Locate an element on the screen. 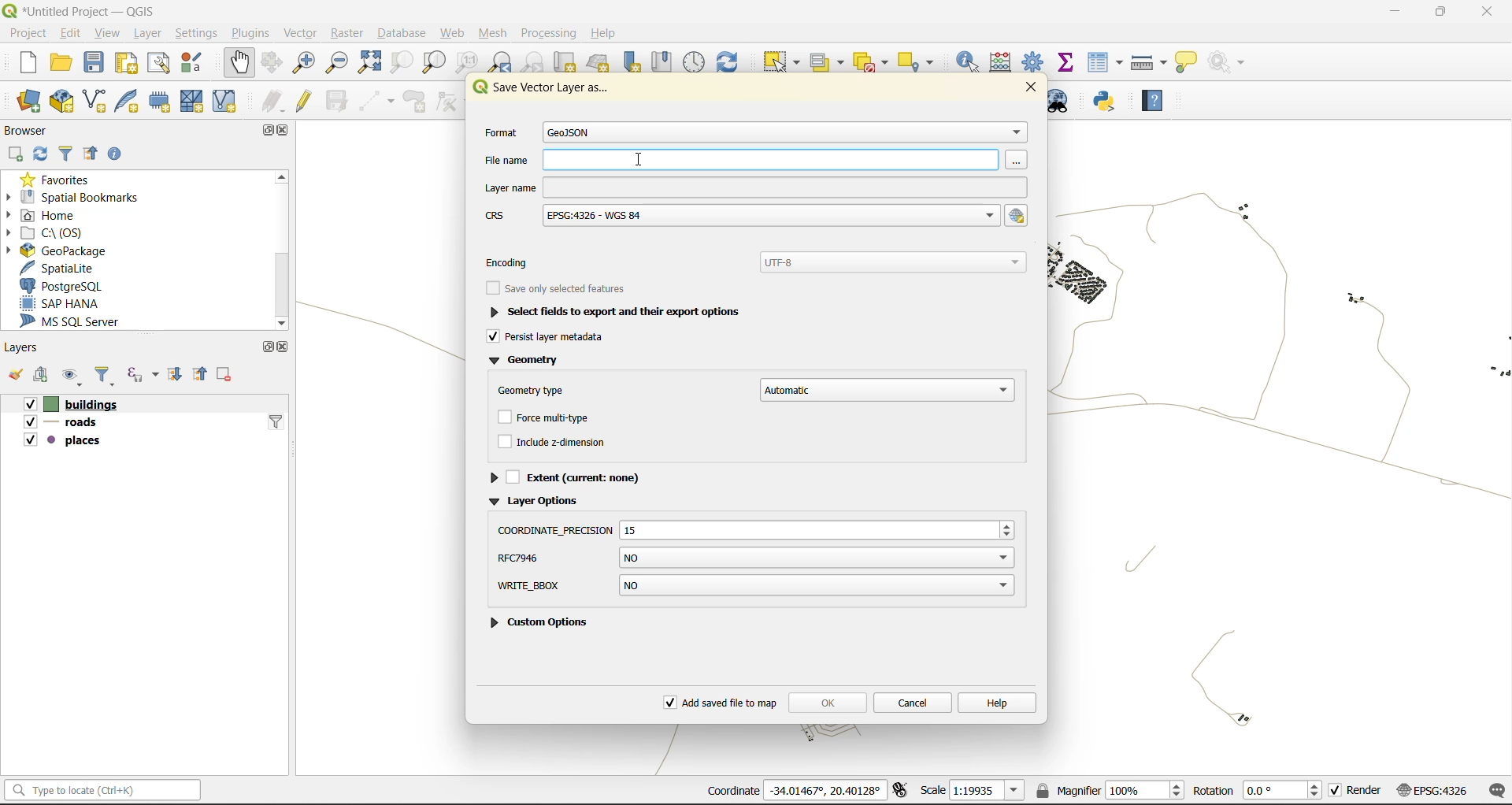 The width and height of the screenshot is (1512, 805). postgresql is located at coordinates (66, 284).